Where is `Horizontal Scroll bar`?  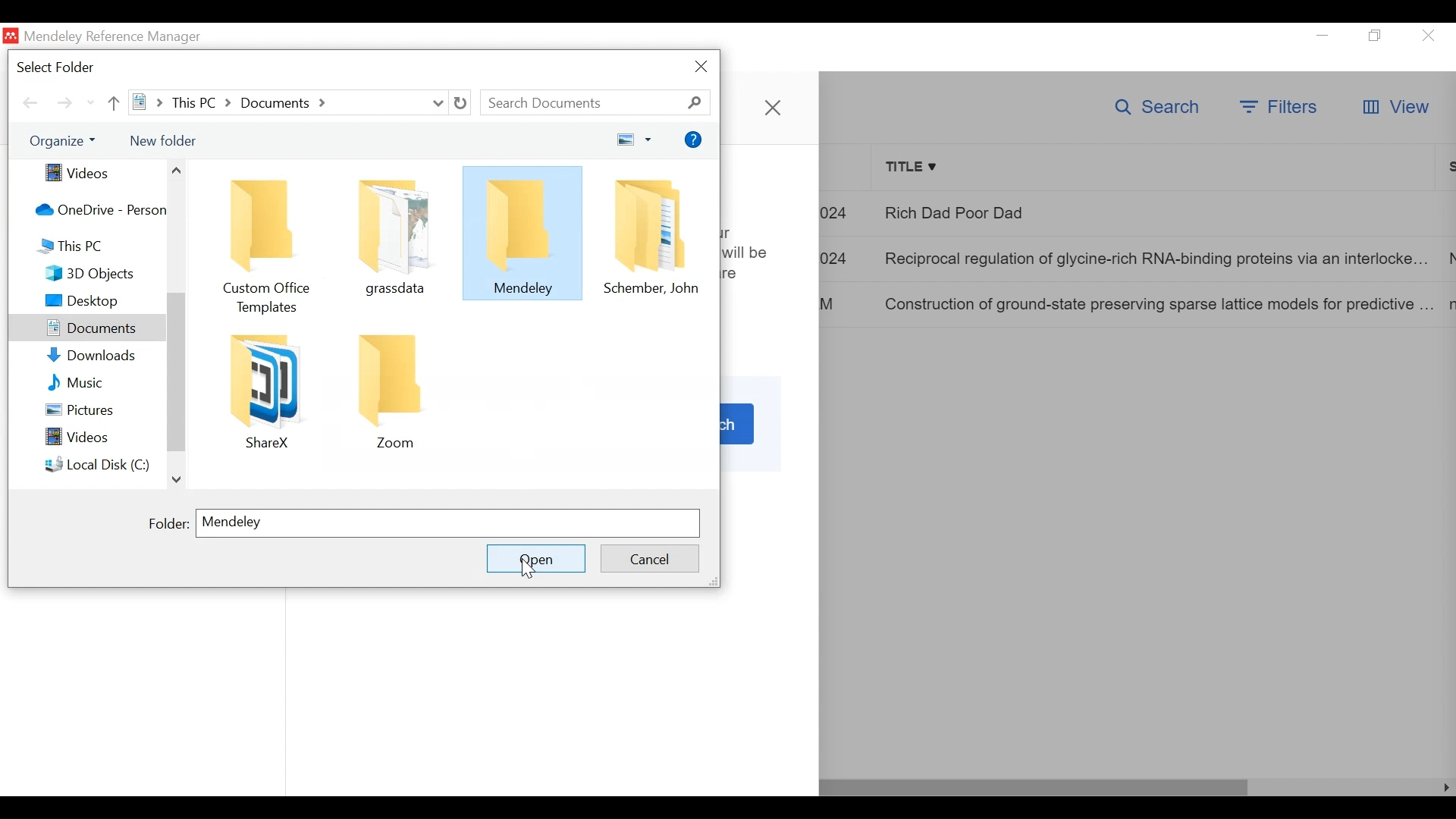 Horizontal Scroll bar is located at coordinates (1034, 787).